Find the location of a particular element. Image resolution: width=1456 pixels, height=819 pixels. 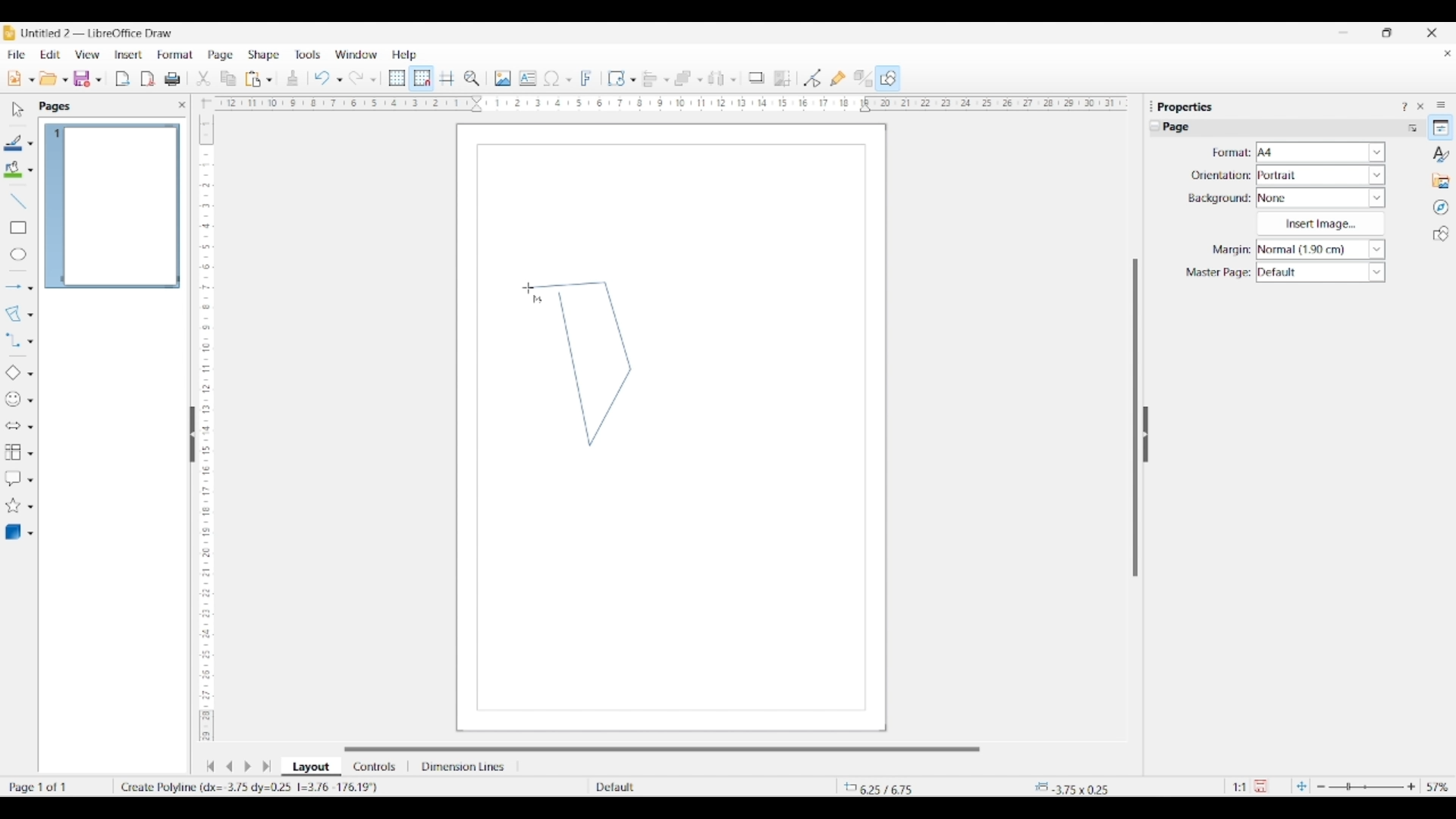

Controls is located at coordinates (376, 767).